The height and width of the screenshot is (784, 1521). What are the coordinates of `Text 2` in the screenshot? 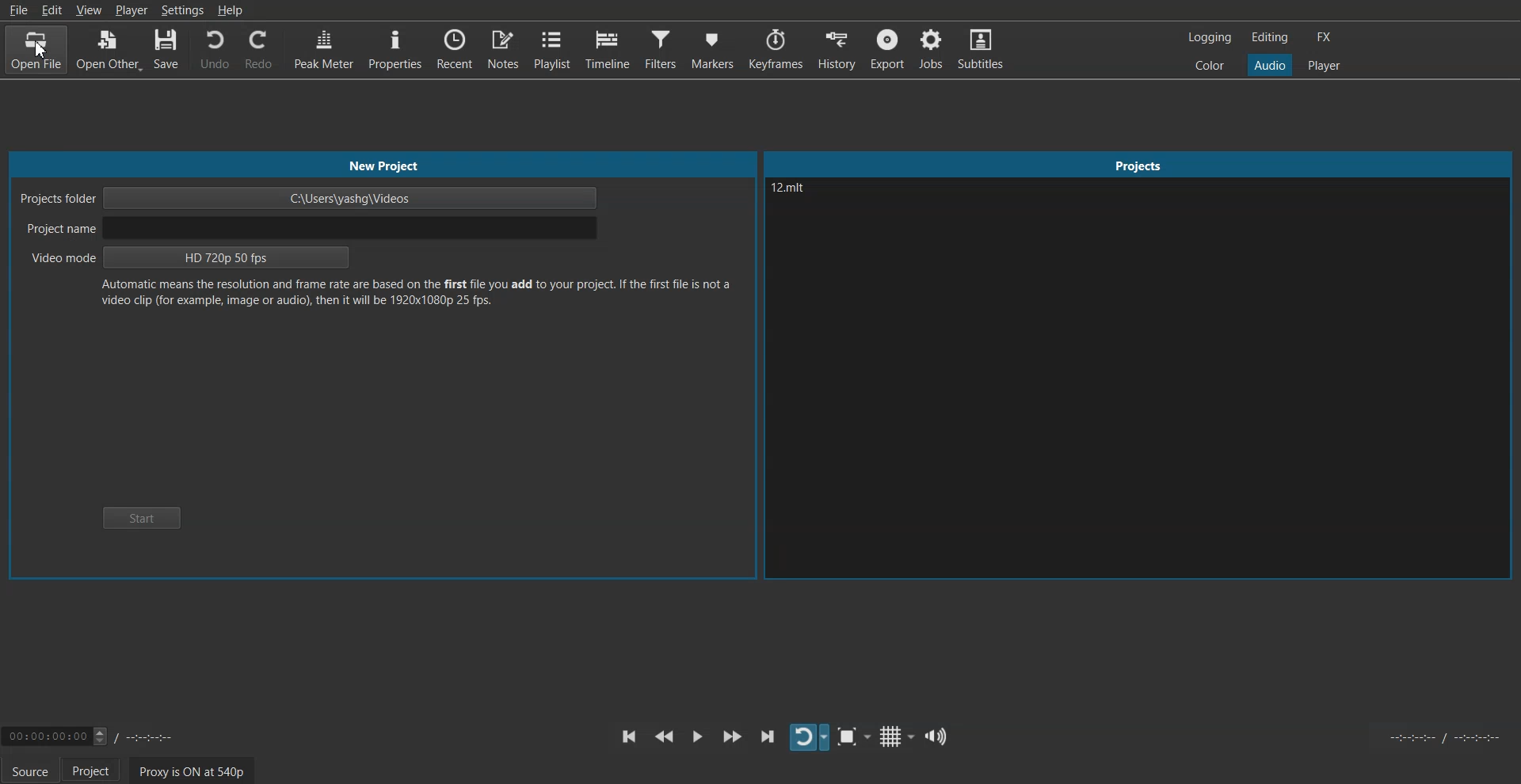 It's located at (418, 297).